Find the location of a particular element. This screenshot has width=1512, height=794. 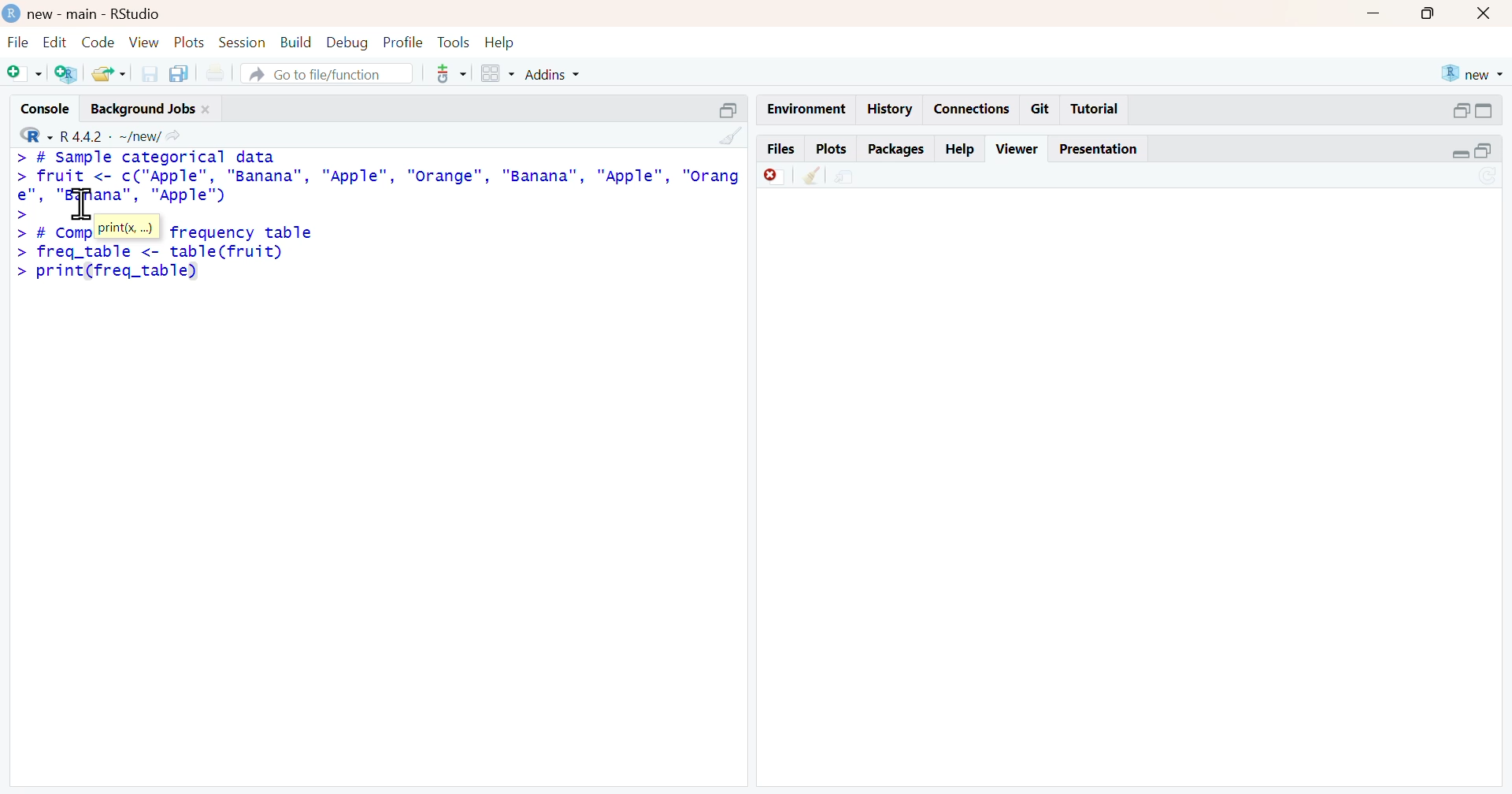

minimize is located at coordinates (1369, 15).